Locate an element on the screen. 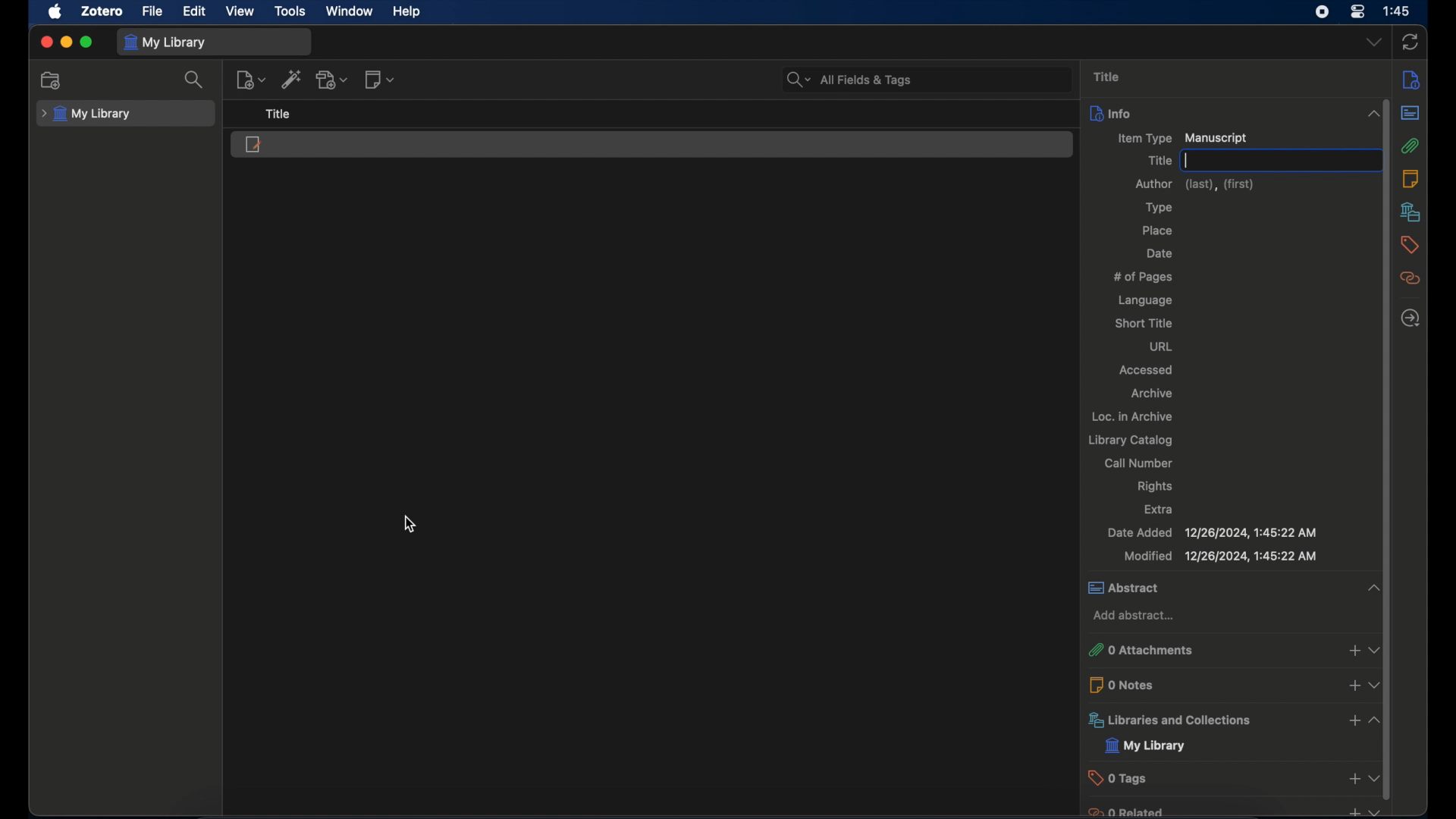 Image resolution: width=1456 pixels, height=819 pixels. title is located at coordinates (282, 115).